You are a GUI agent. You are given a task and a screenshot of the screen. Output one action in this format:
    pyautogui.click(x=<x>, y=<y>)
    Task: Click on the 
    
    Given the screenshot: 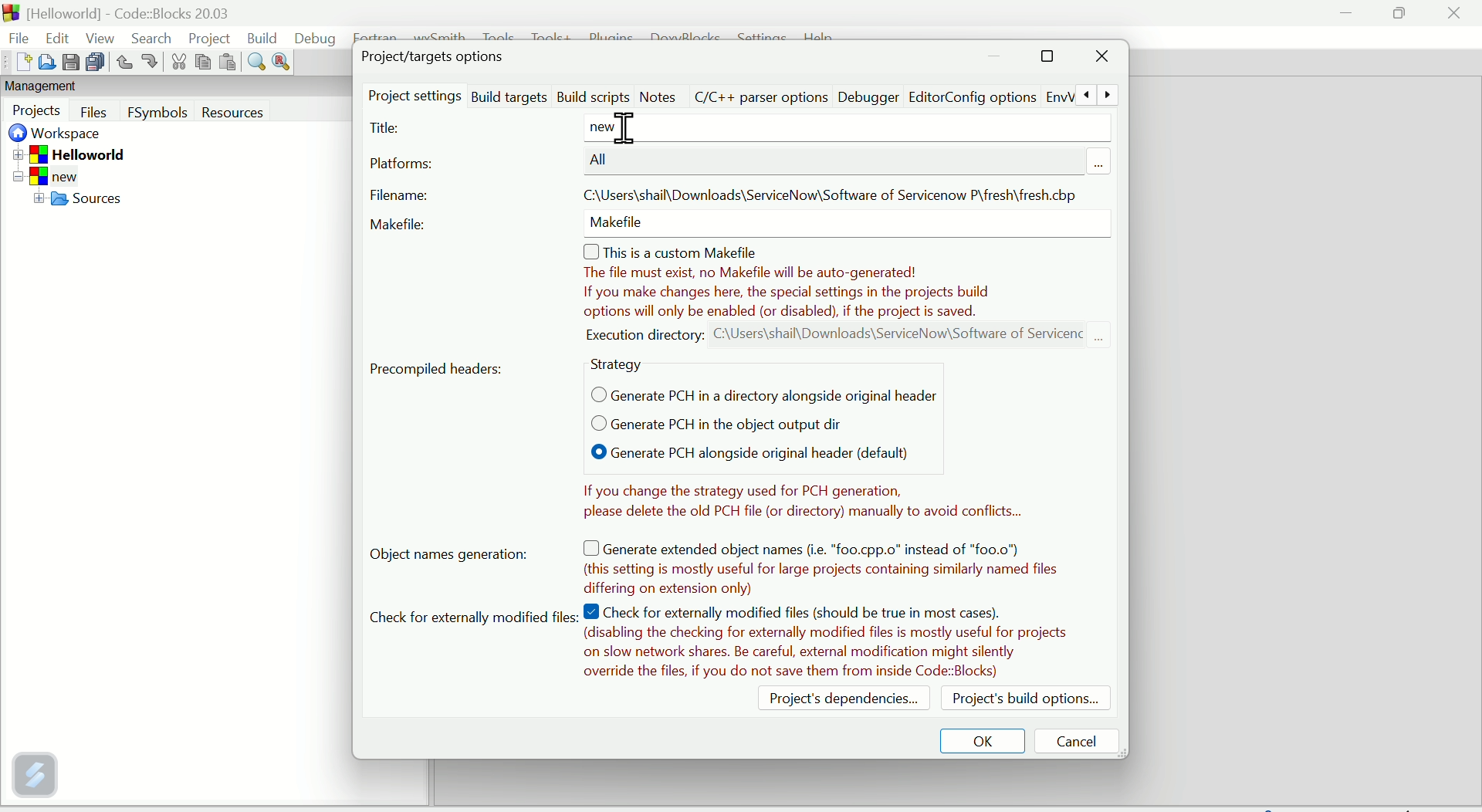 What is the action you would take?
    pyautogui.click(x=96, y=112)
    